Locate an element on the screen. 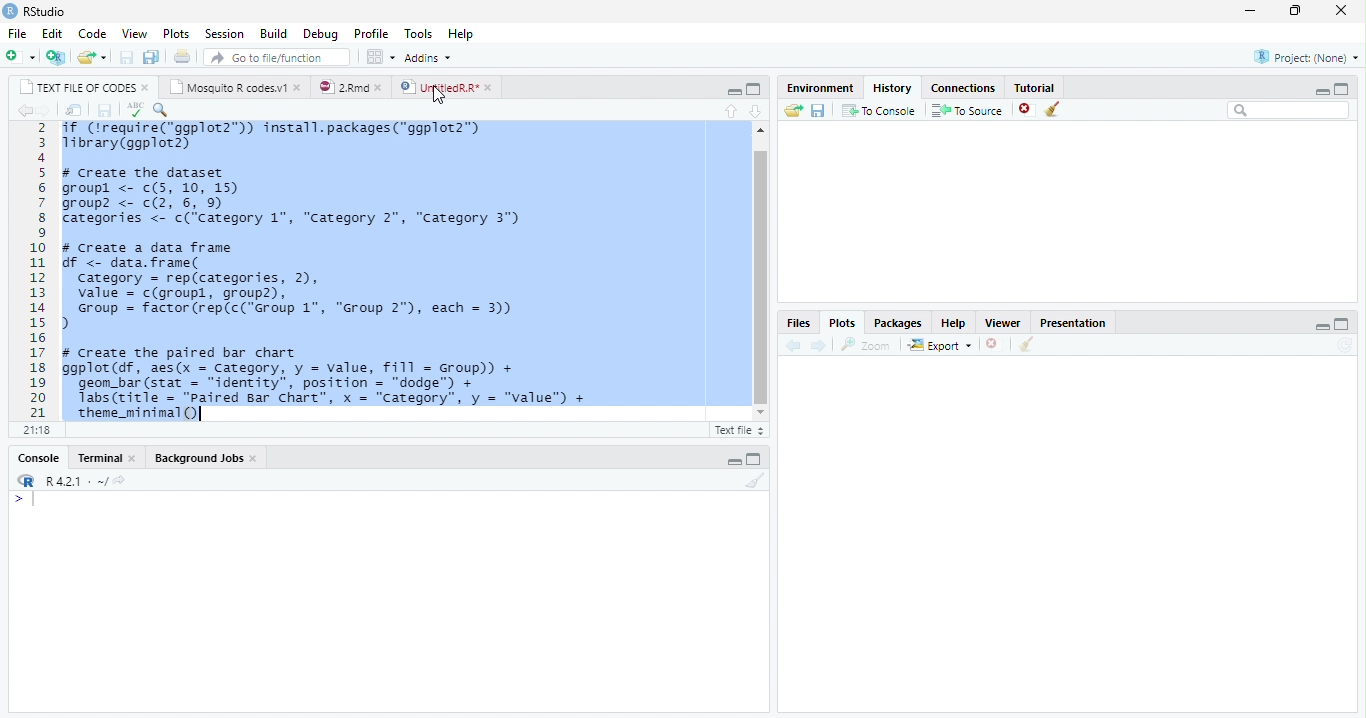 The image size is (1366, 718). plots is located at coordinates (846, 322).